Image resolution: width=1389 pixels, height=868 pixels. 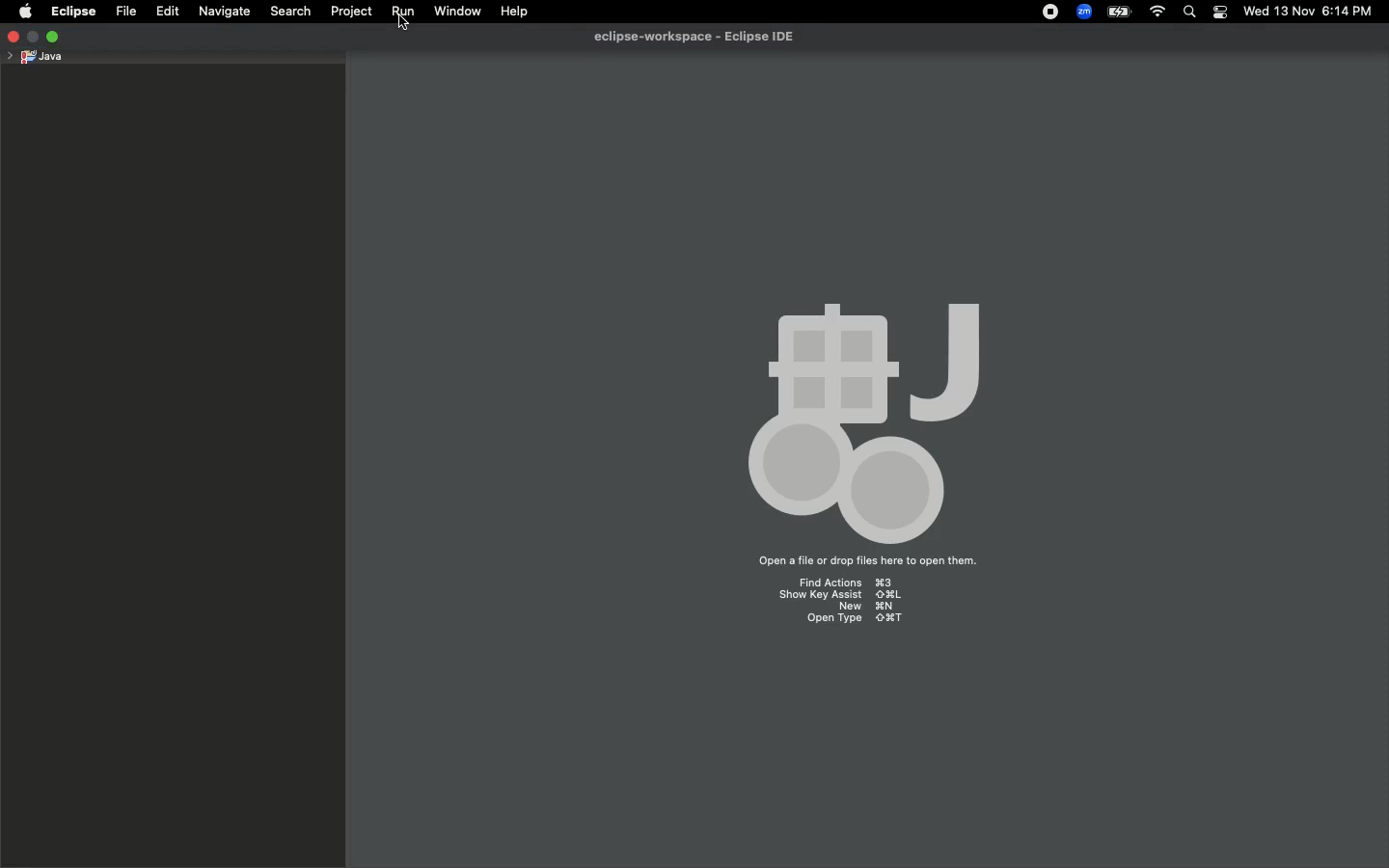 What do you see at coordinates (1049, 12) in the screenshot?
I see `Recording` at bounding box center [1049, 12].